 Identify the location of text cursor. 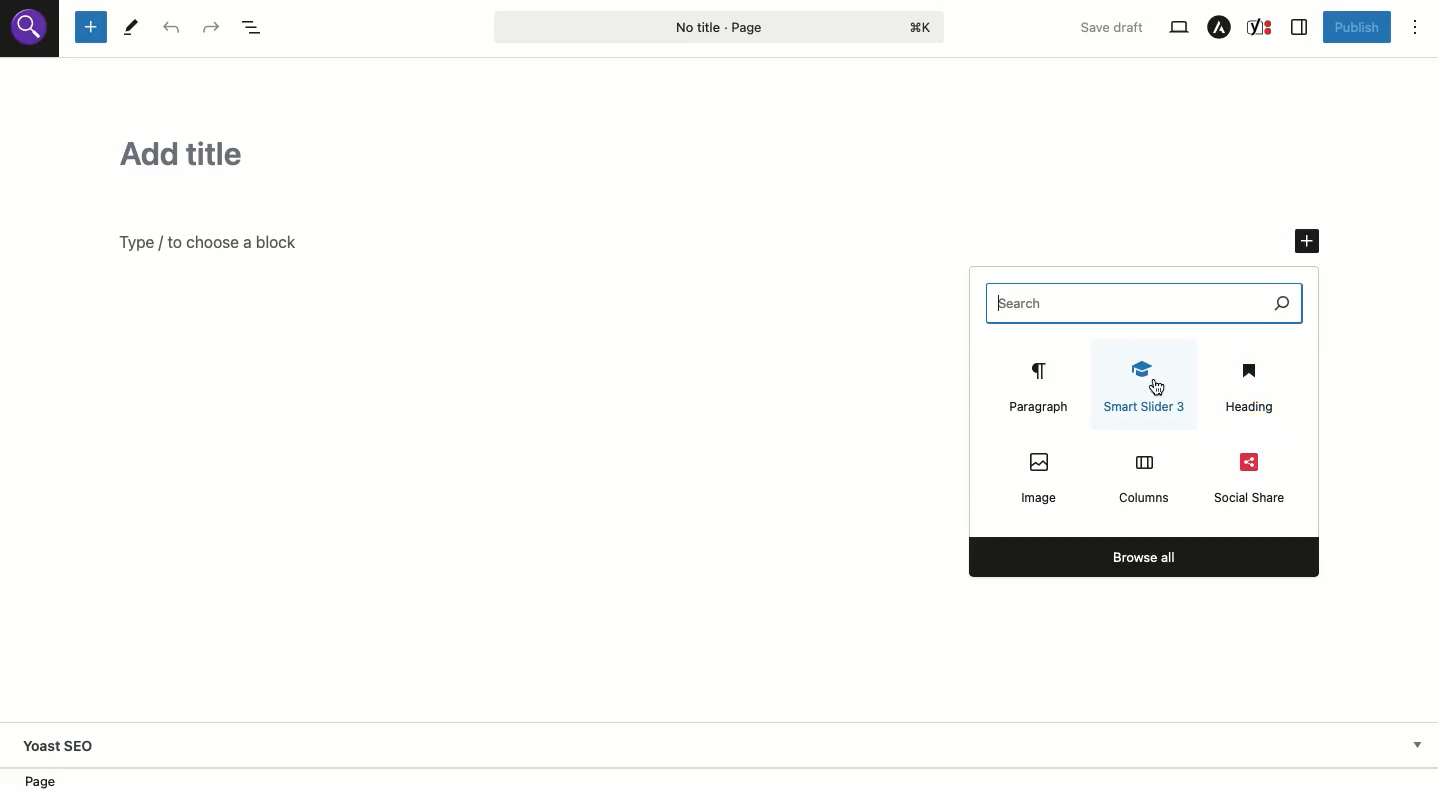
(1005, 304).